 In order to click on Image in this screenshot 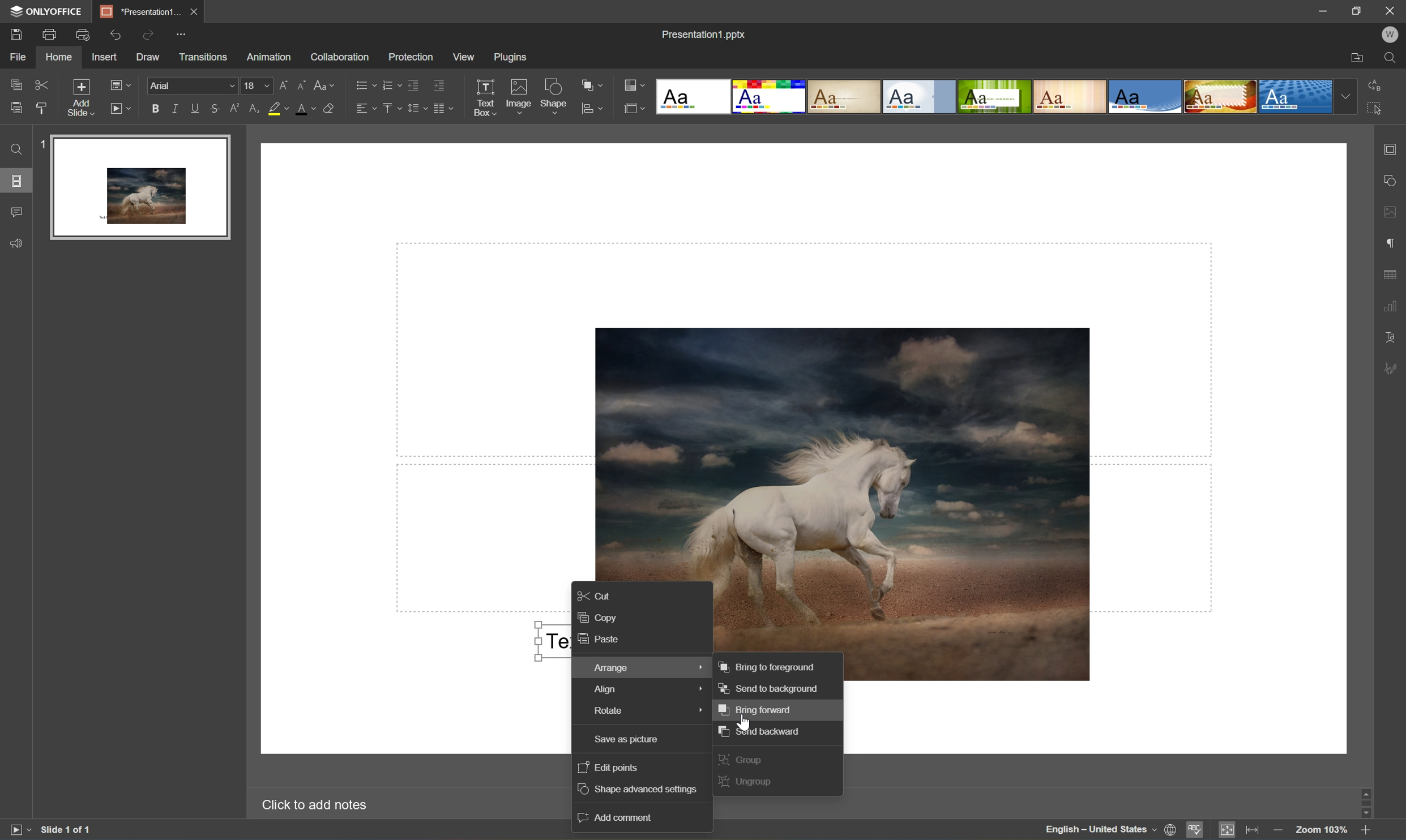, I will do `click(518, 96)`.